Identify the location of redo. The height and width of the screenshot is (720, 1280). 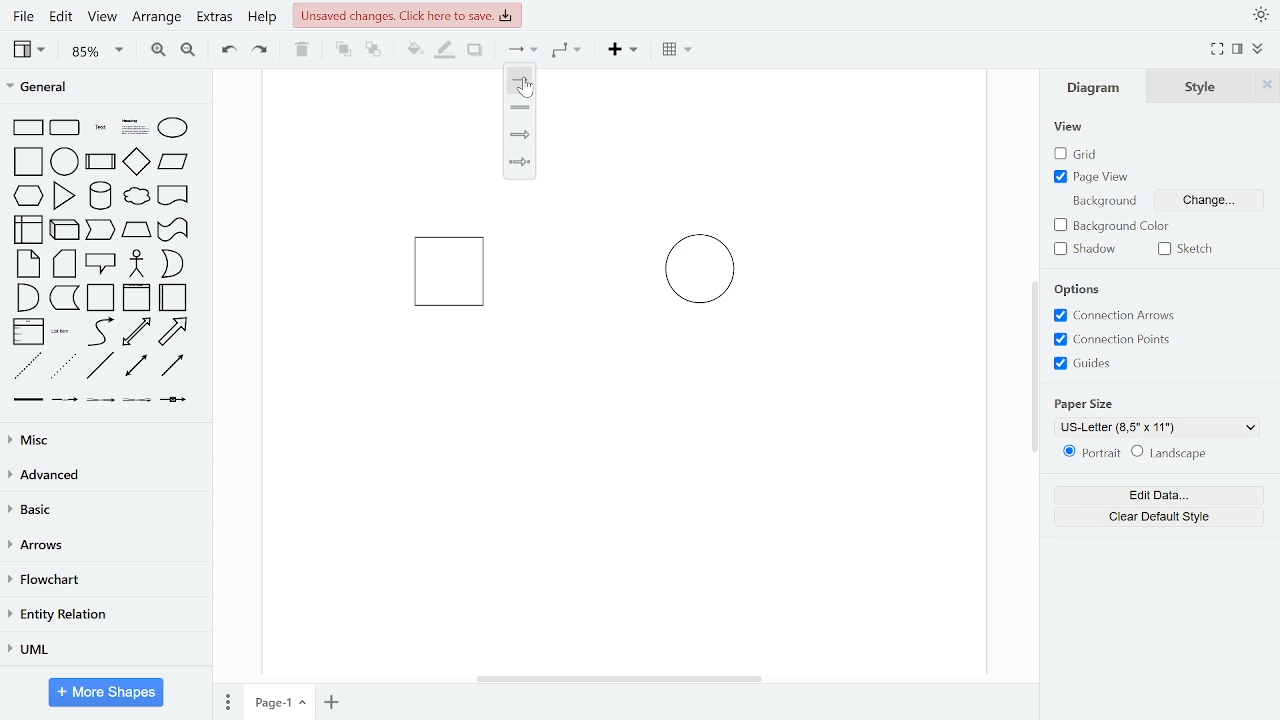
(261, 49).